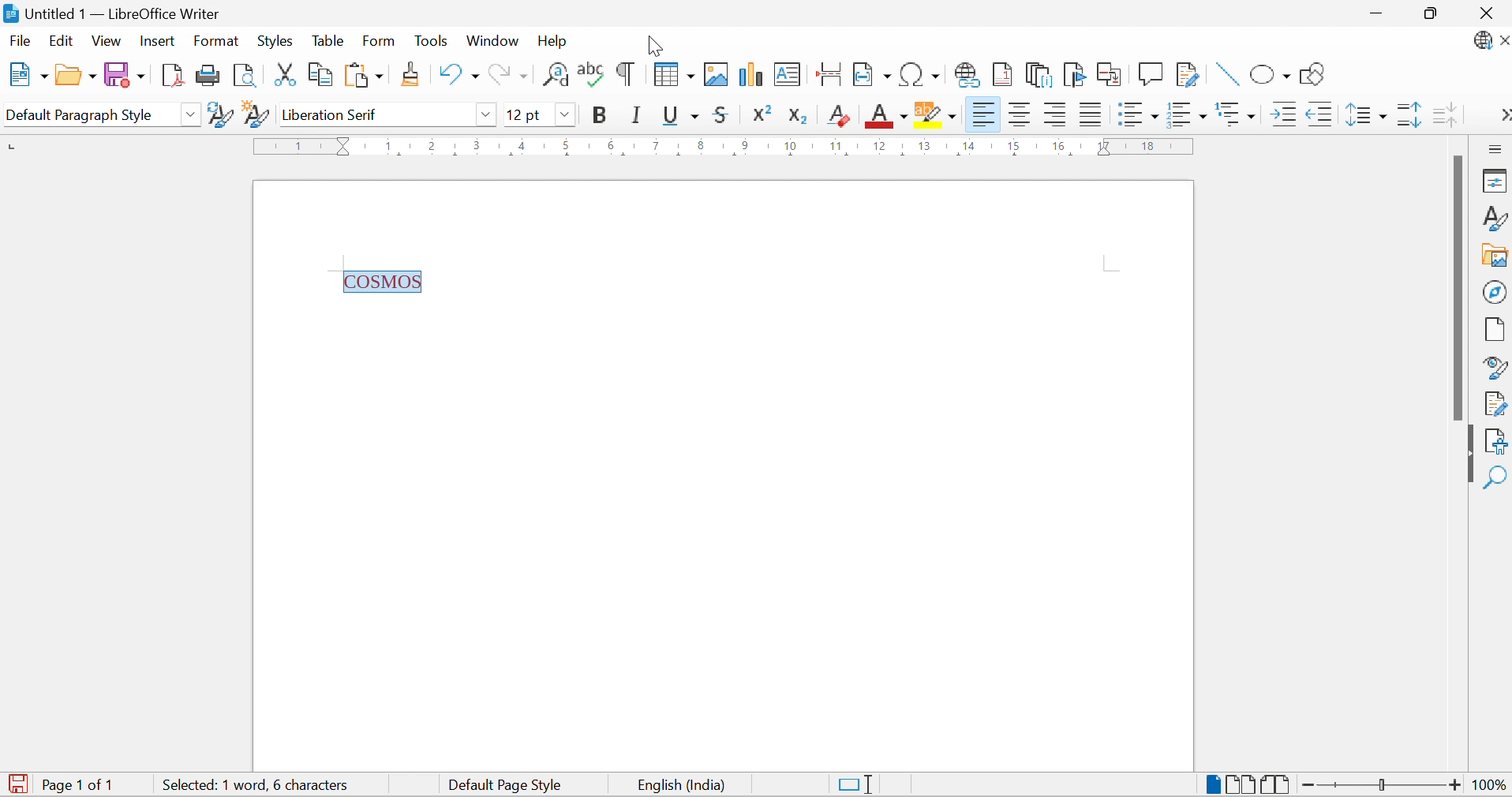 The height and width of the screenshot is (797, 1512). Describe the element at coordinates (207, 75) in the screenshot. I see `Print` at that location.